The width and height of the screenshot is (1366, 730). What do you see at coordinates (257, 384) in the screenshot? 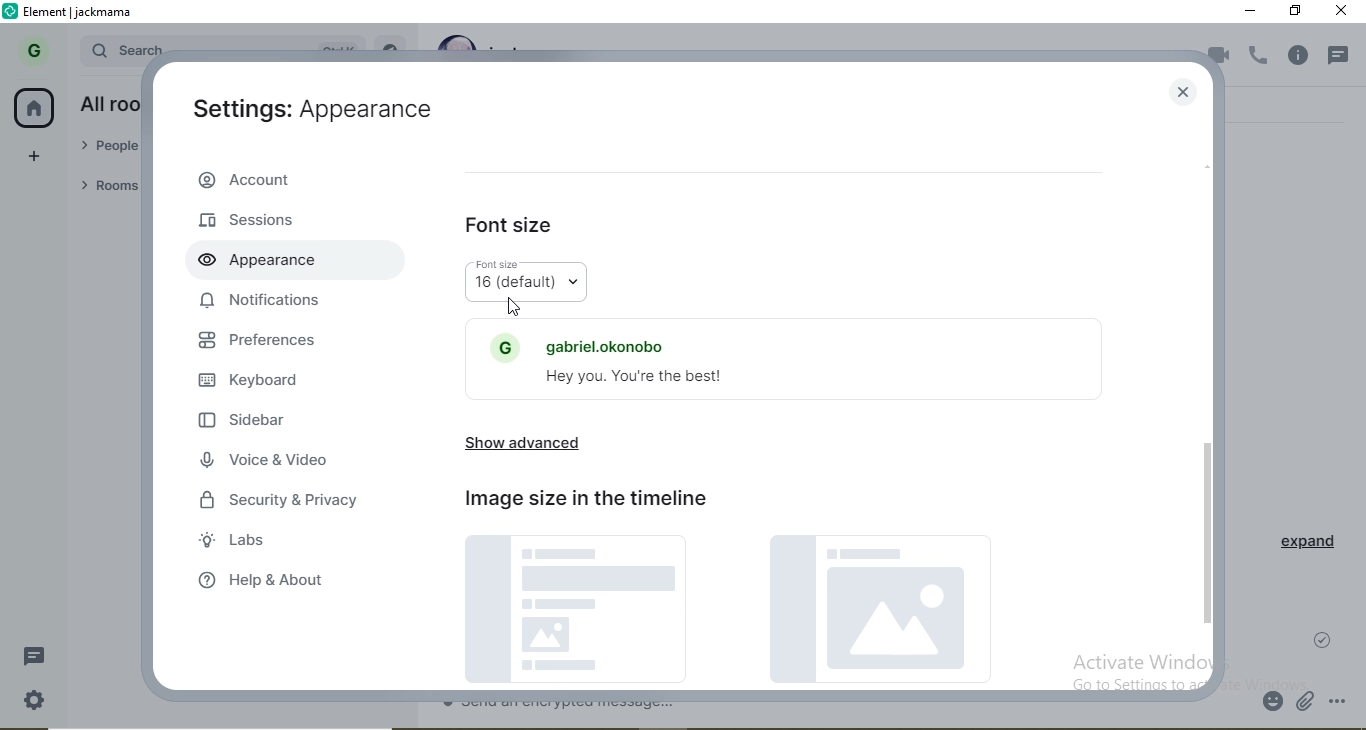
I see `keyboard` at bounding box center [257, 384].